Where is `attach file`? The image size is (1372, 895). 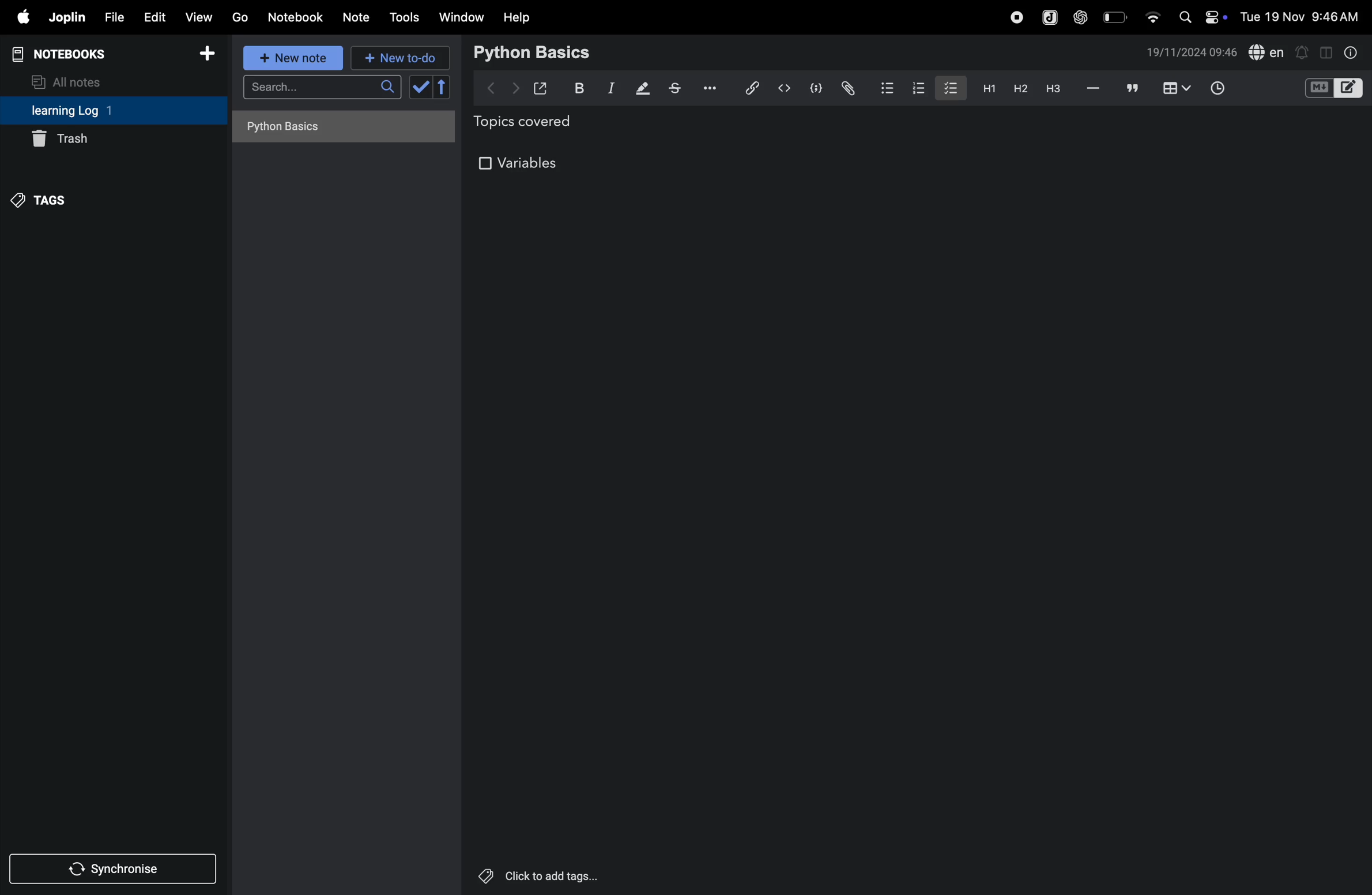
attach file is located at coordinates (847, 88).